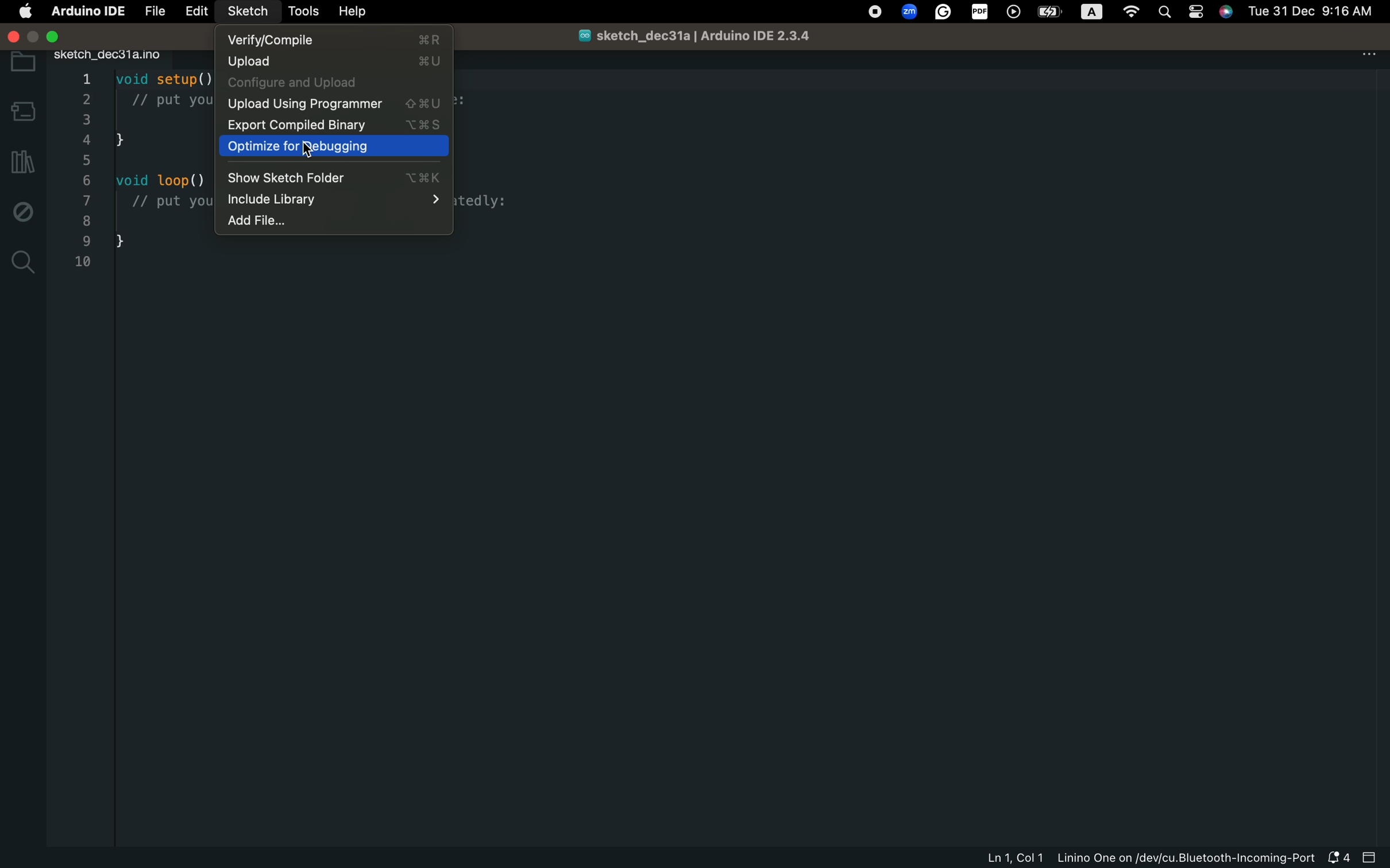 The image size is (1390, 868). I want to click on export compiled binary, so click(333, 125).